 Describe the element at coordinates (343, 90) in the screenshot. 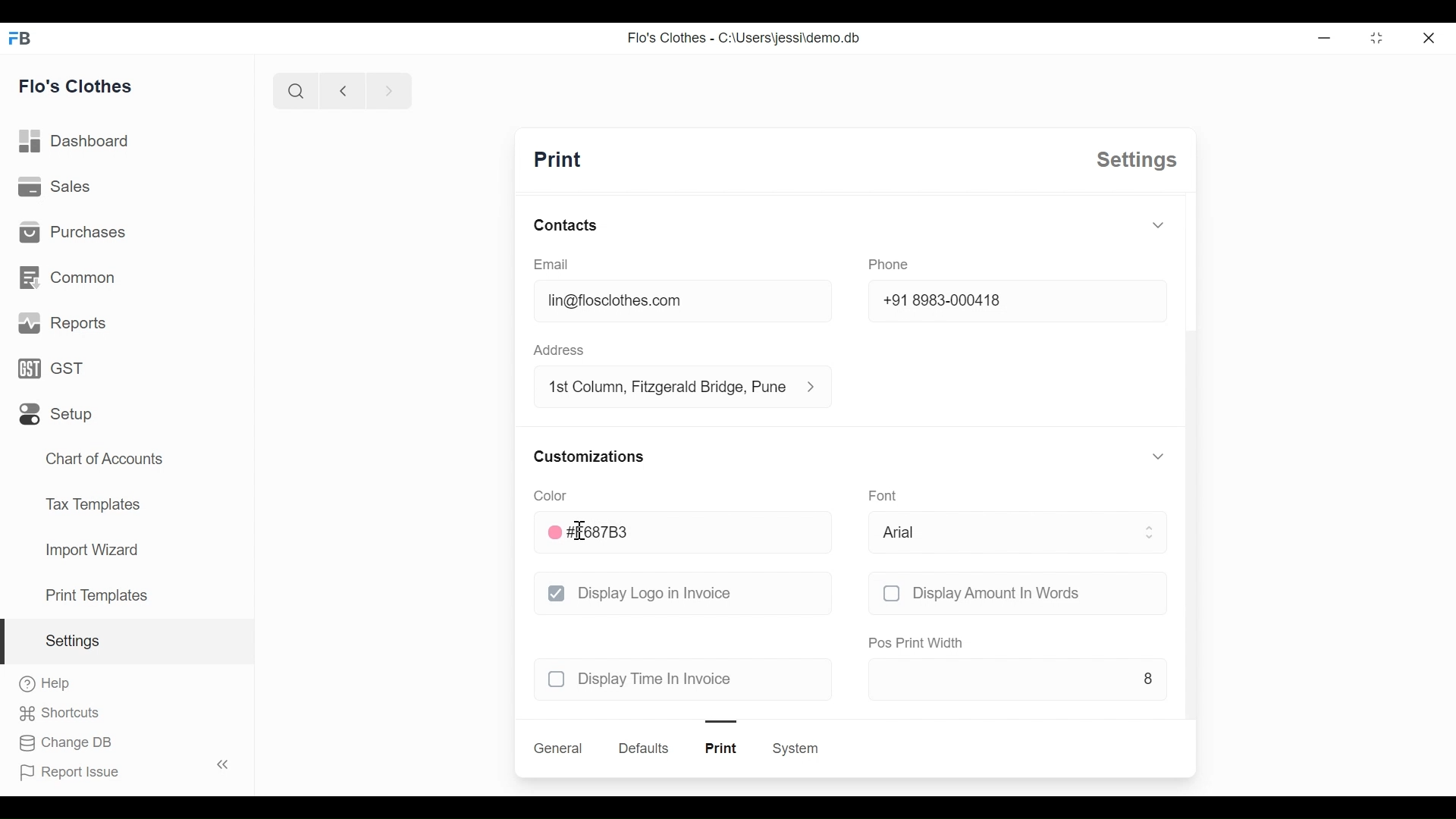

I see `previous` at that location.